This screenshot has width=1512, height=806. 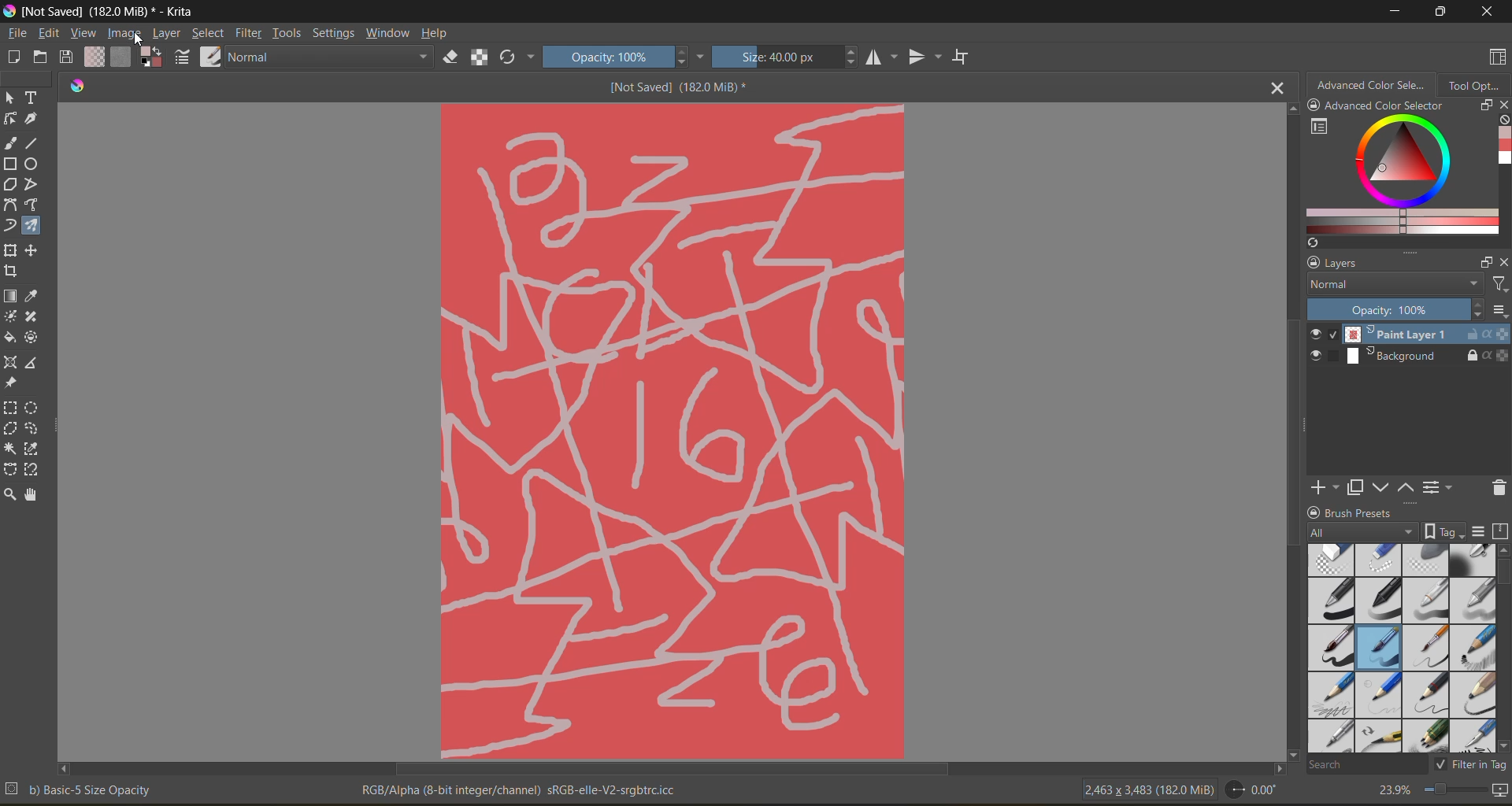 What do you see at coordinates (511, 54) in the screenshot?
I see `reload original preset` at bounding box center [511, 54].